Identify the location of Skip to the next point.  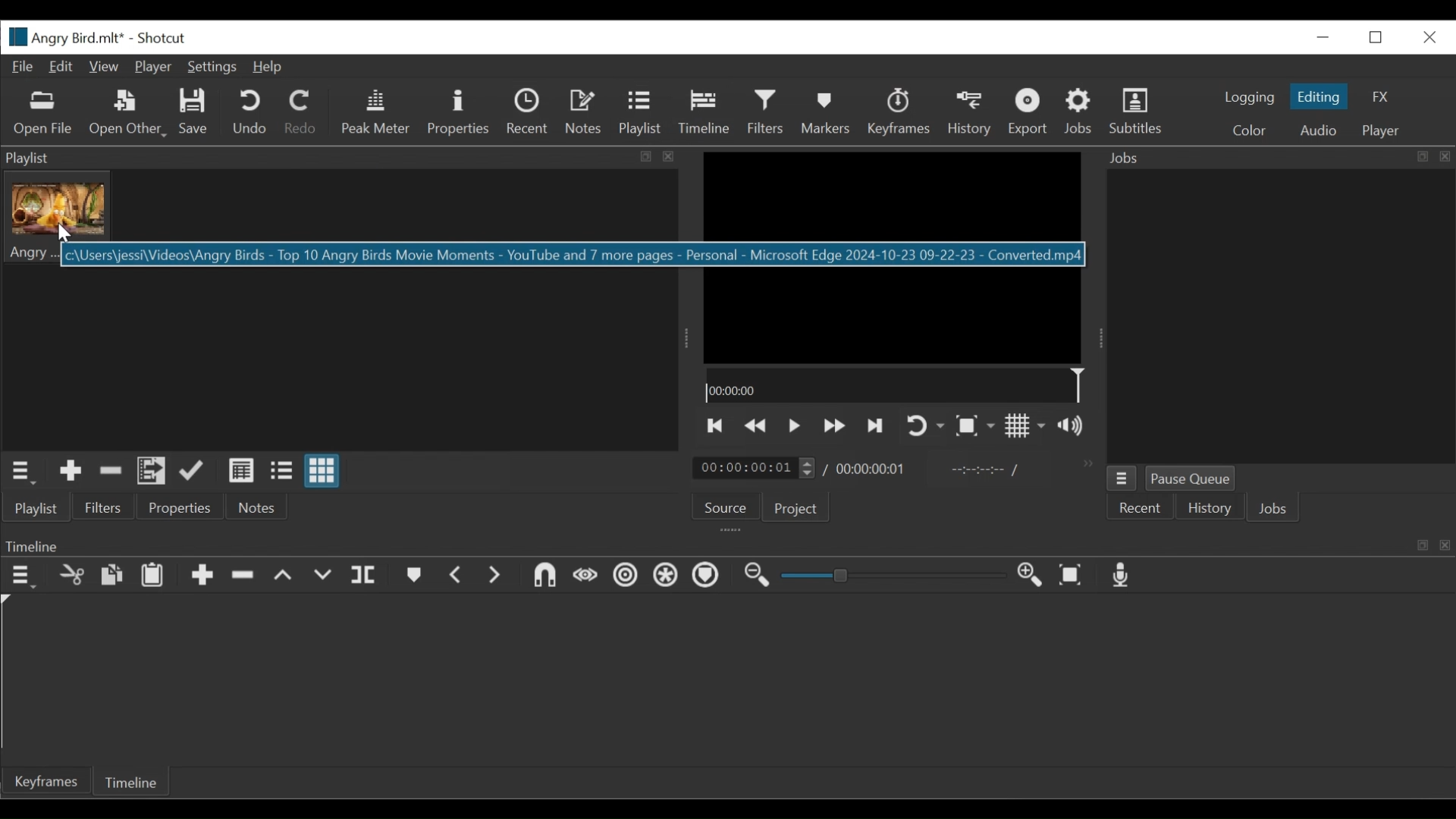
(876, 424).